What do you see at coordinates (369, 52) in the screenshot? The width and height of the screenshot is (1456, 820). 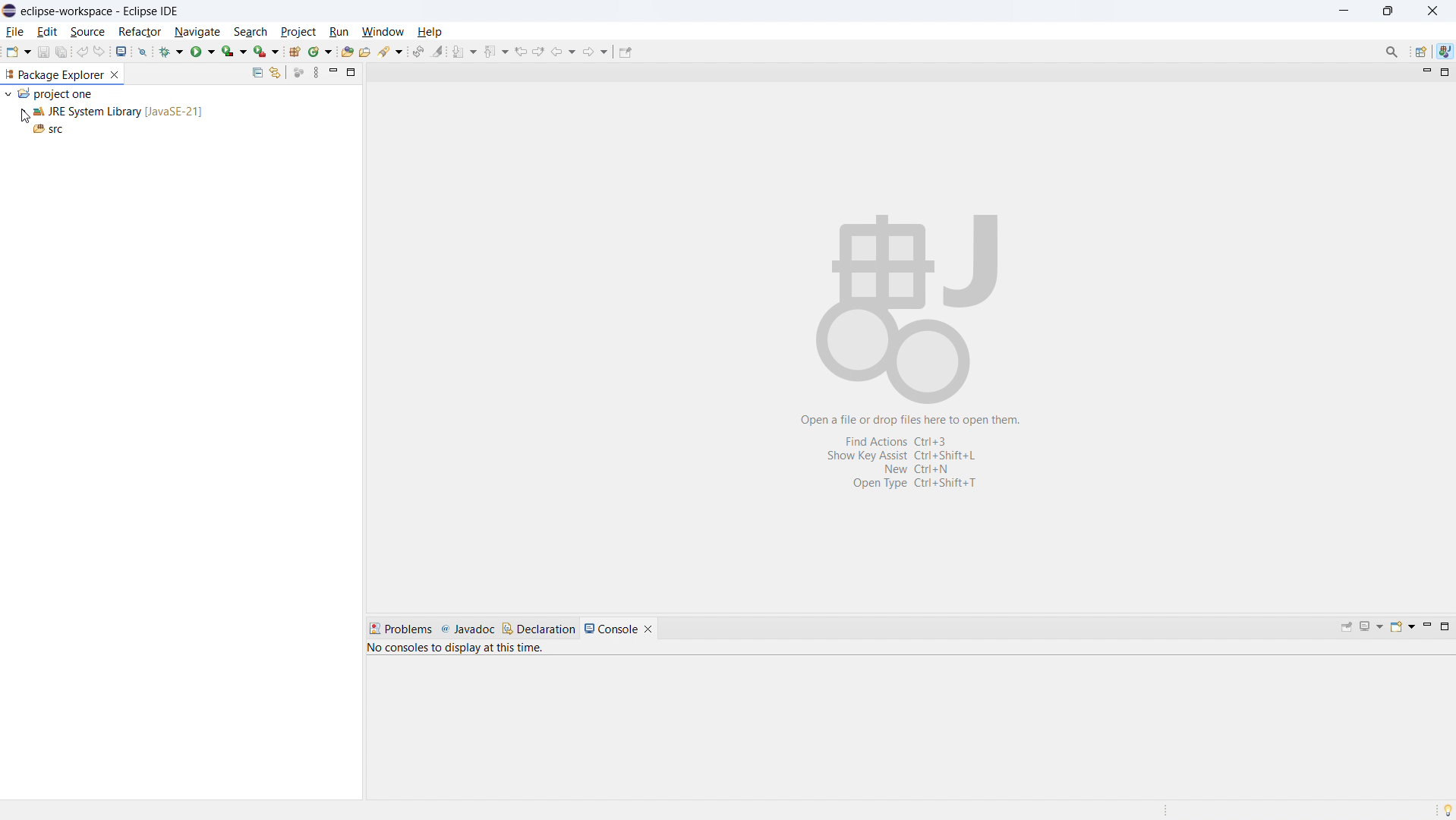 I see `Open` at bounding box center [369, 52].